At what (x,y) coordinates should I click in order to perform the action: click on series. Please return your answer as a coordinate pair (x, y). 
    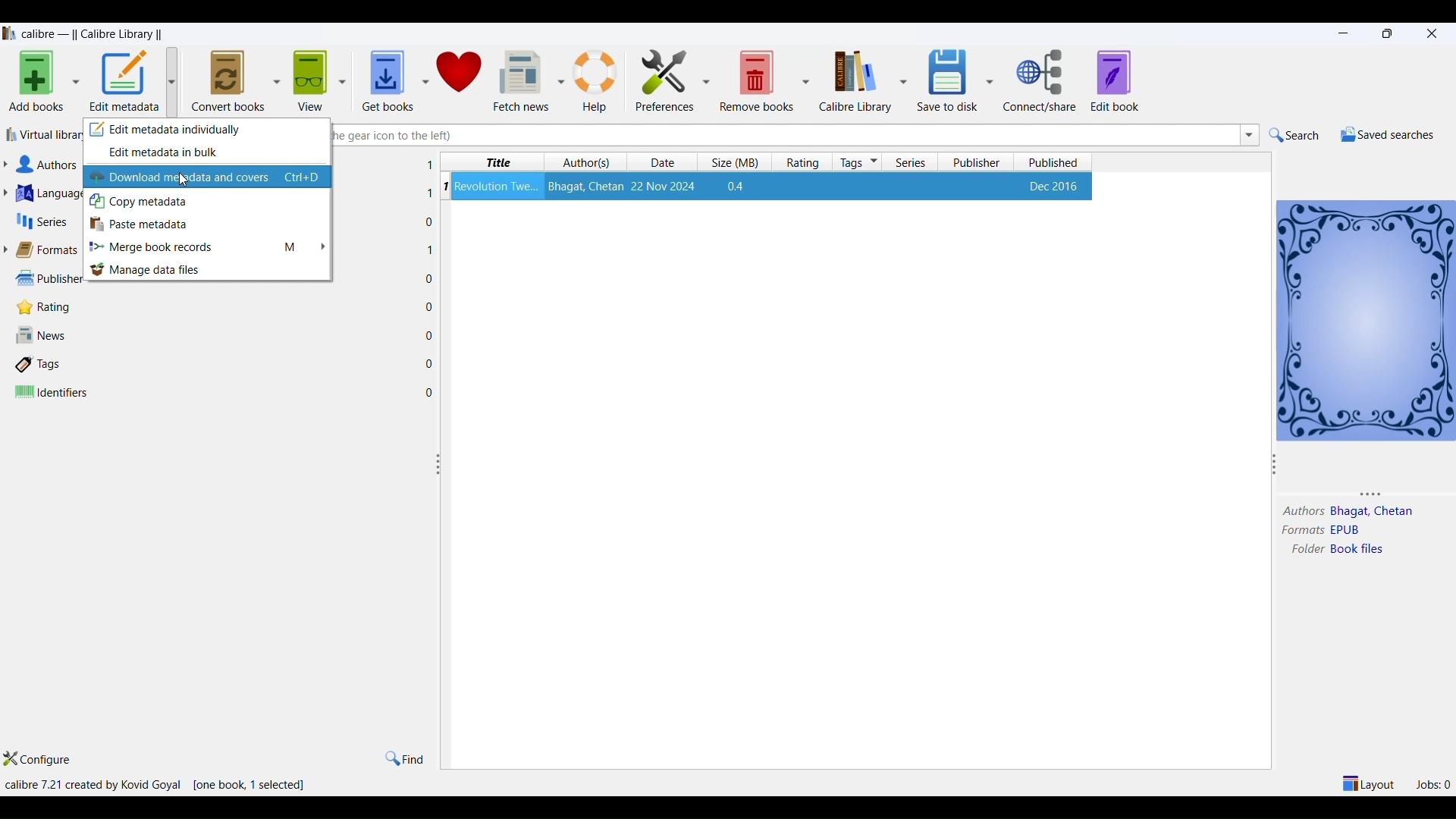
    Looking at the image, I should click on (44, 221).